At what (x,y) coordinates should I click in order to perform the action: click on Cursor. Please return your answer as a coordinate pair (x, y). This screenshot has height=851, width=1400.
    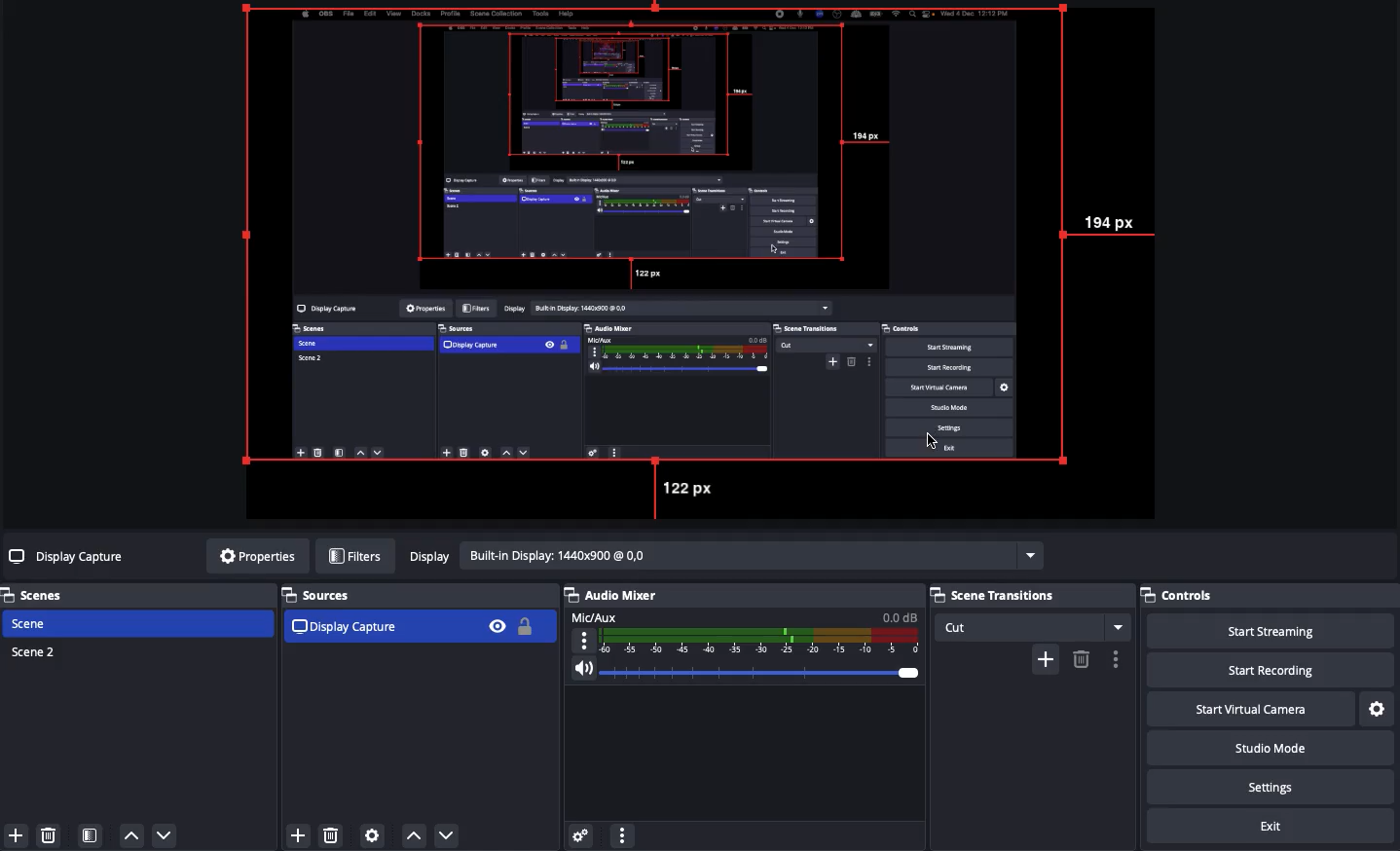
    Looking at the image, I should click on (936, 440).